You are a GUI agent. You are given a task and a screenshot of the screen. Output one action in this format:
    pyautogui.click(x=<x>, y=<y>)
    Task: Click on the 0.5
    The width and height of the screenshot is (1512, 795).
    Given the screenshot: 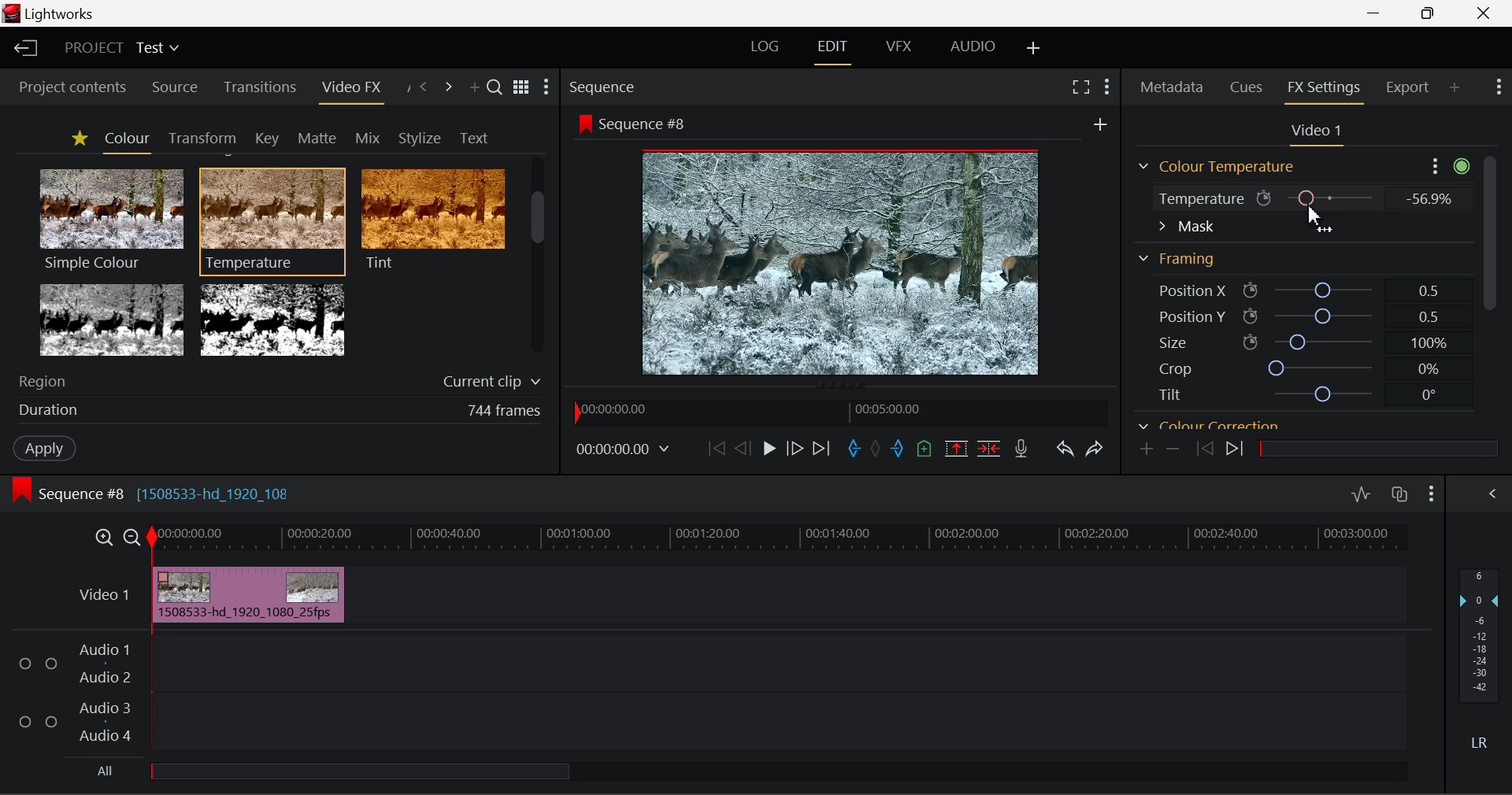 What is the action you would take?
    pyautogui.click(x=1430, y=319)
    